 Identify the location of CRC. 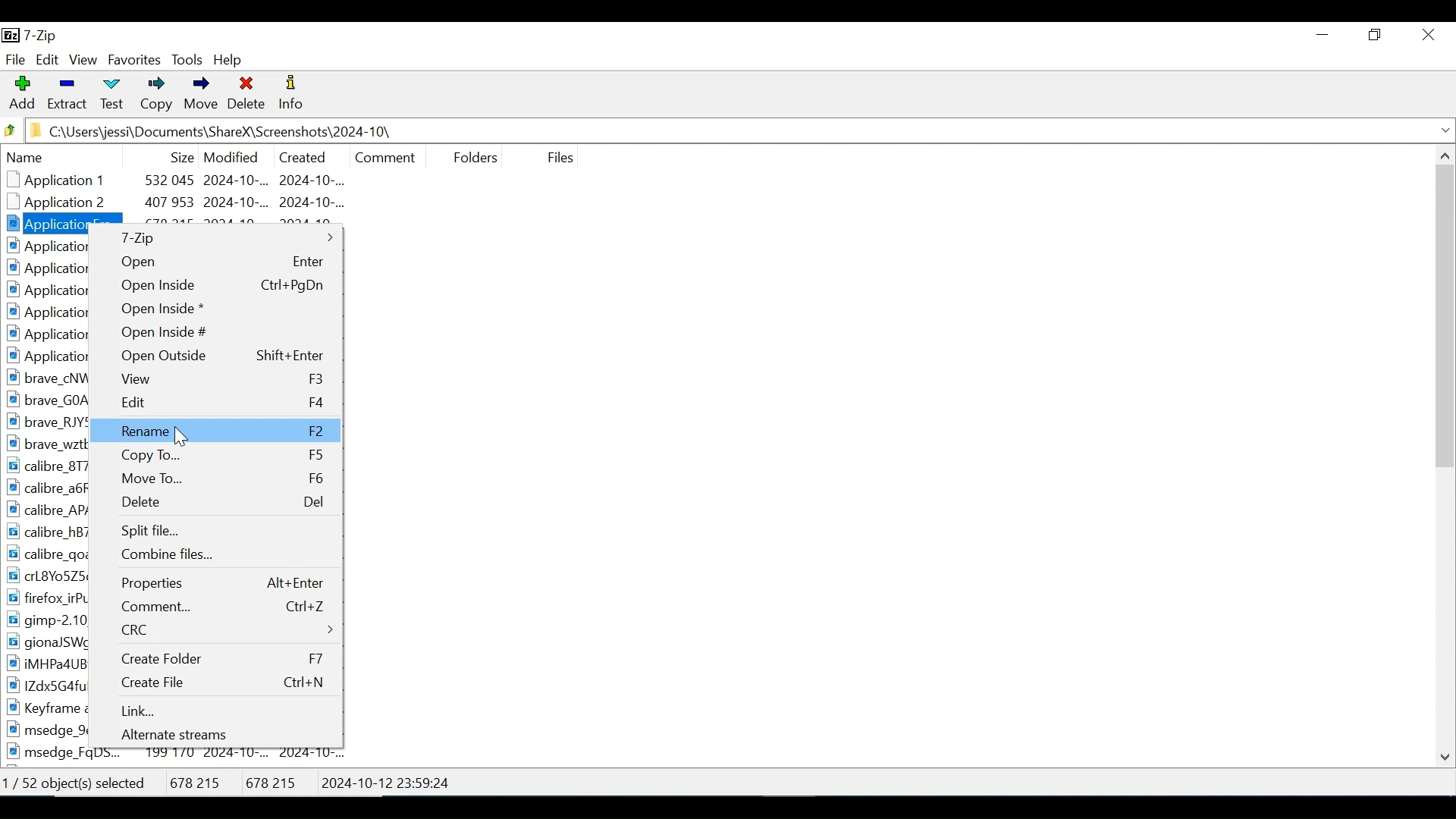
(215, 629).